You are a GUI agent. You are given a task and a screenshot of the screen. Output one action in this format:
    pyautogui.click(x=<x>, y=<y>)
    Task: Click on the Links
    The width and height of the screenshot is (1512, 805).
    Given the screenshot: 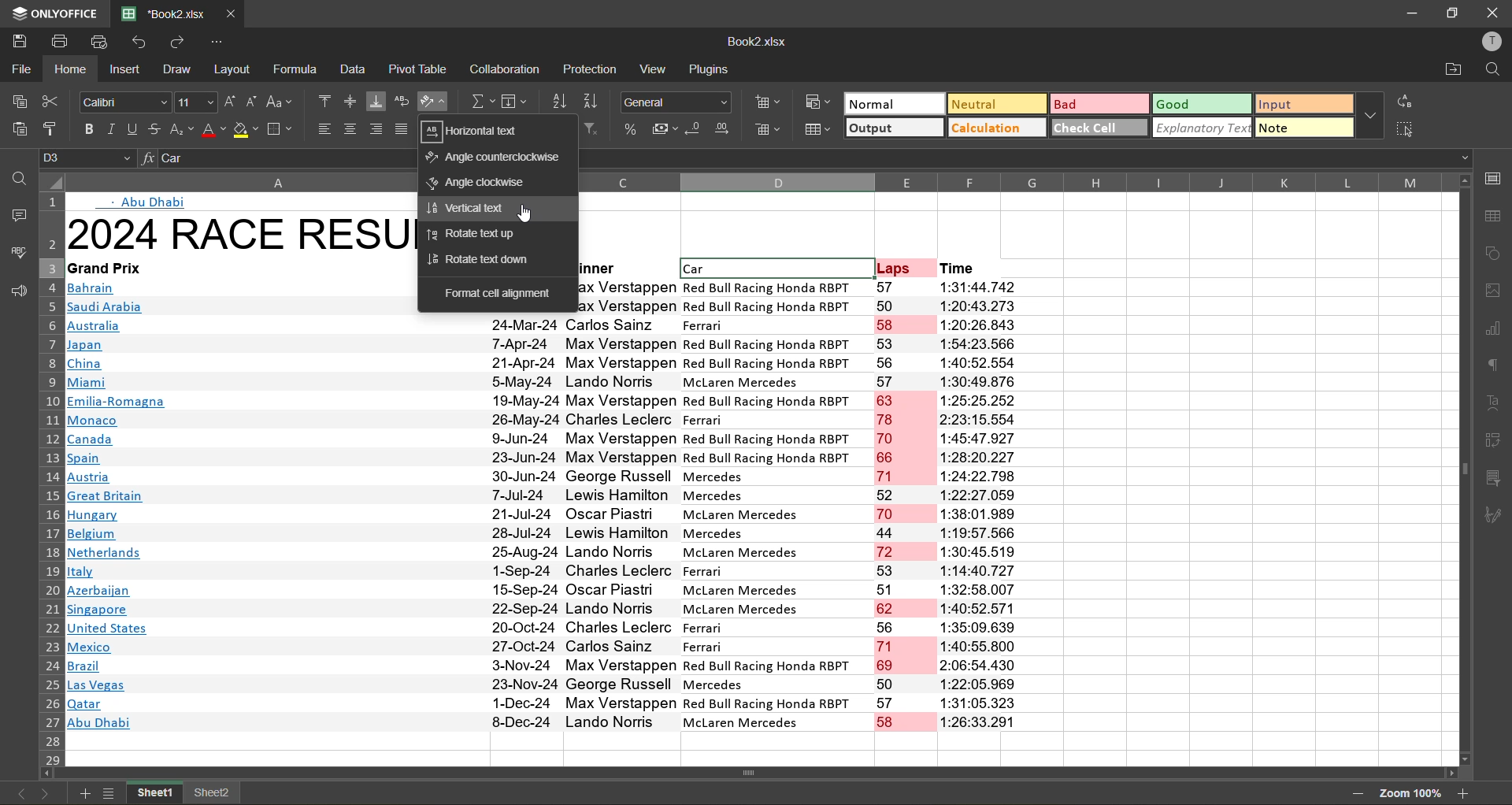 What is the action you would take?
    pyautogui.click(x=117, y=495)
    